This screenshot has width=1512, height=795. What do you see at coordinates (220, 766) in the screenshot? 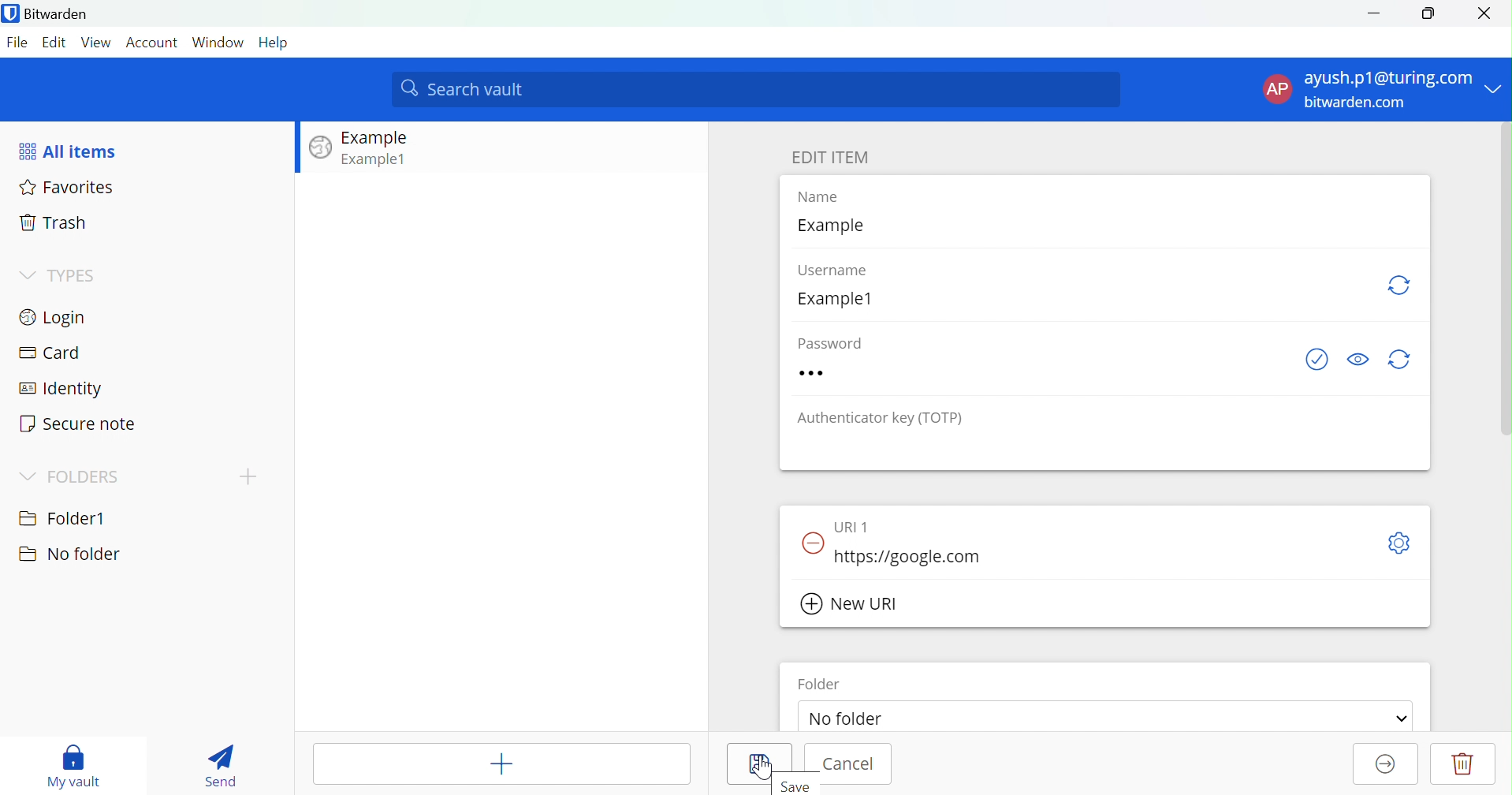
I see `Send` at bounding box center [220, 766].